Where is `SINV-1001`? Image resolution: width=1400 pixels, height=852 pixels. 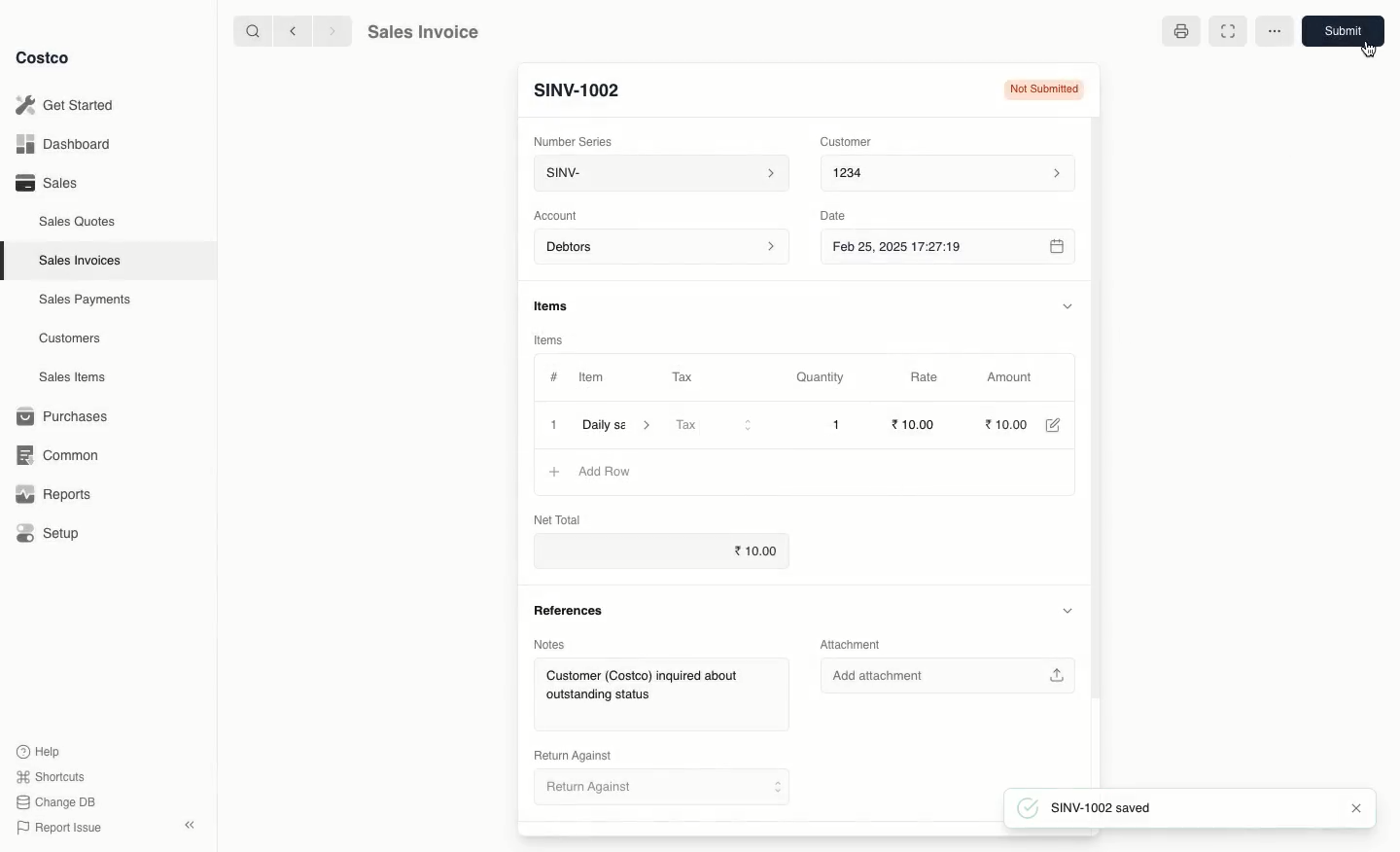
SINV-1001 is located at coordinates (586, 89).